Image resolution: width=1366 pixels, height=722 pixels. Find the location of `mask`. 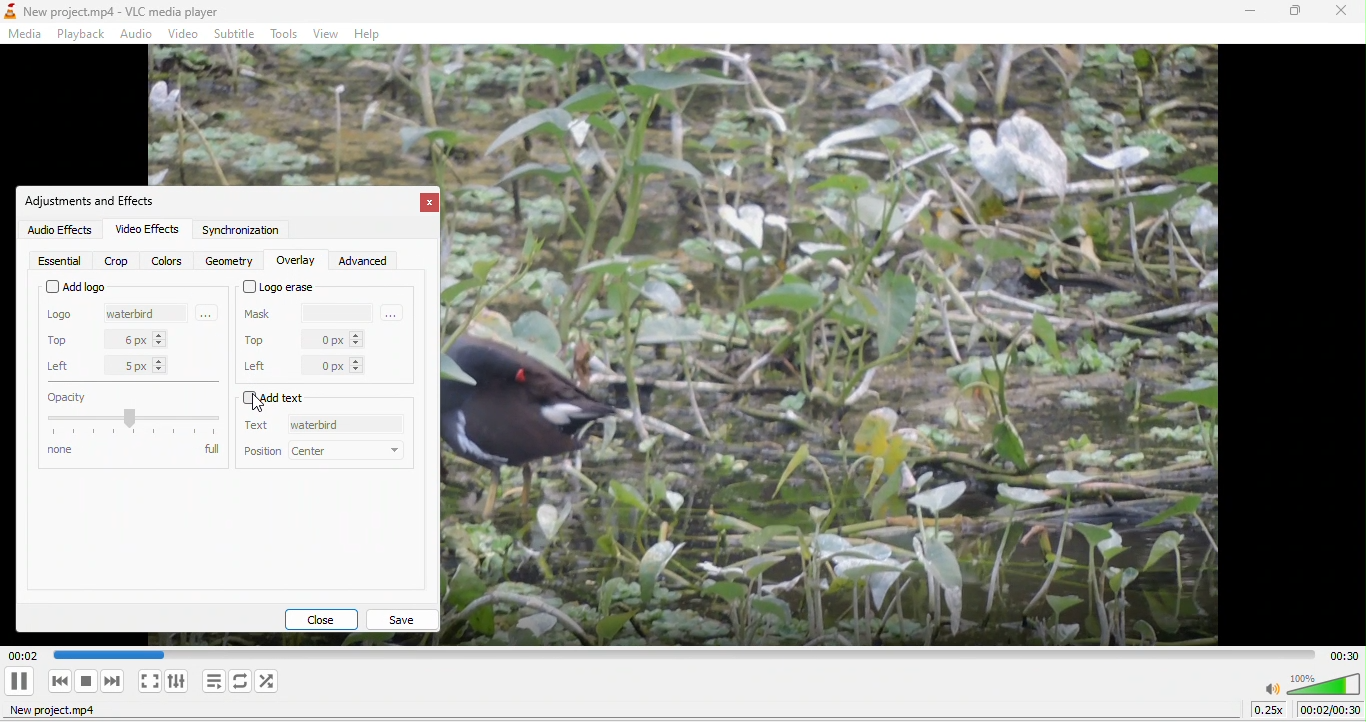

mask is located at coordinates (260, 313).